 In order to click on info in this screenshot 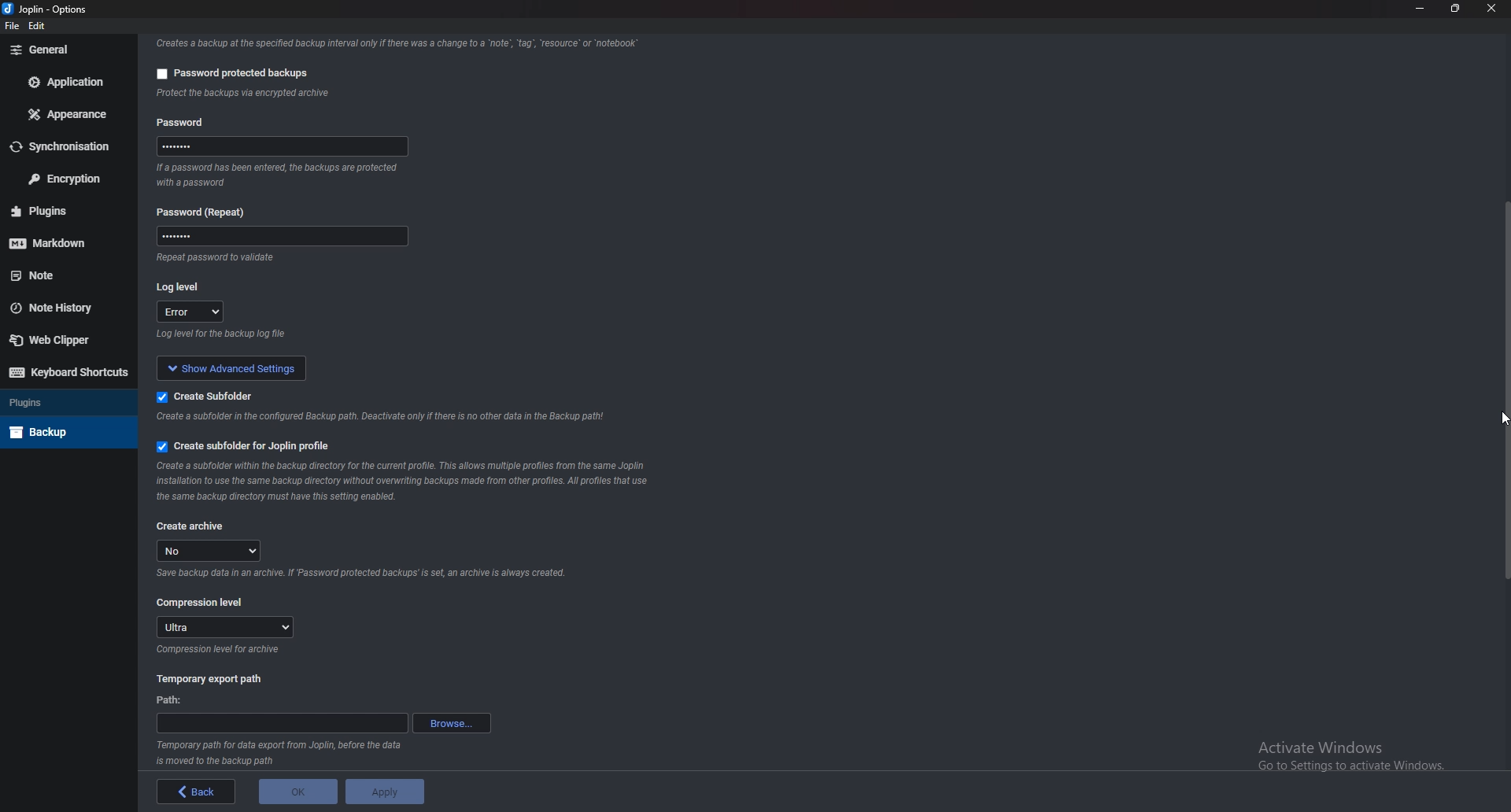, I will do `click(323, 94)`.